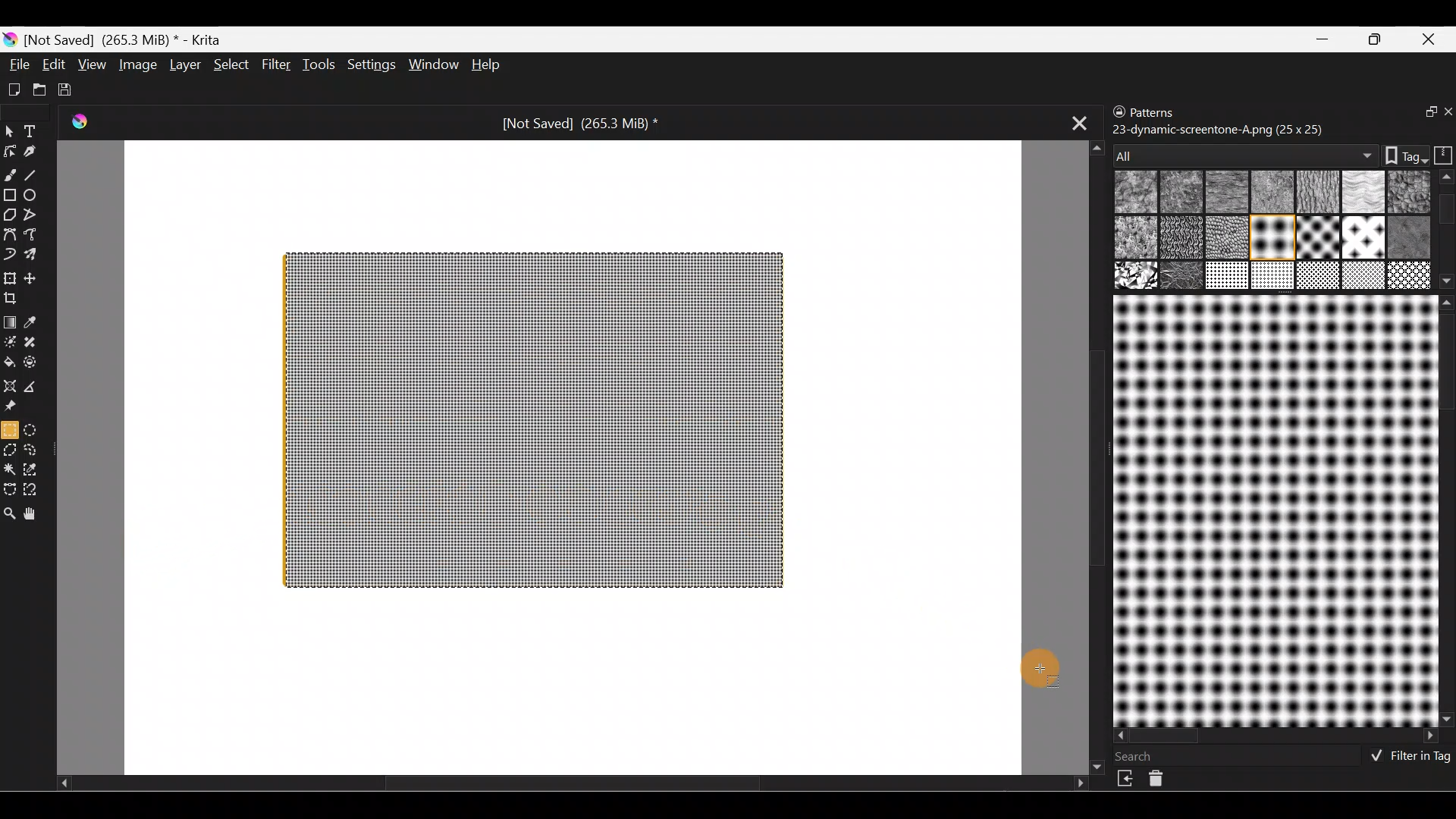  Describe the element at coordinates (1127, 779) in the screenshot. I see `Import resource` at that location.